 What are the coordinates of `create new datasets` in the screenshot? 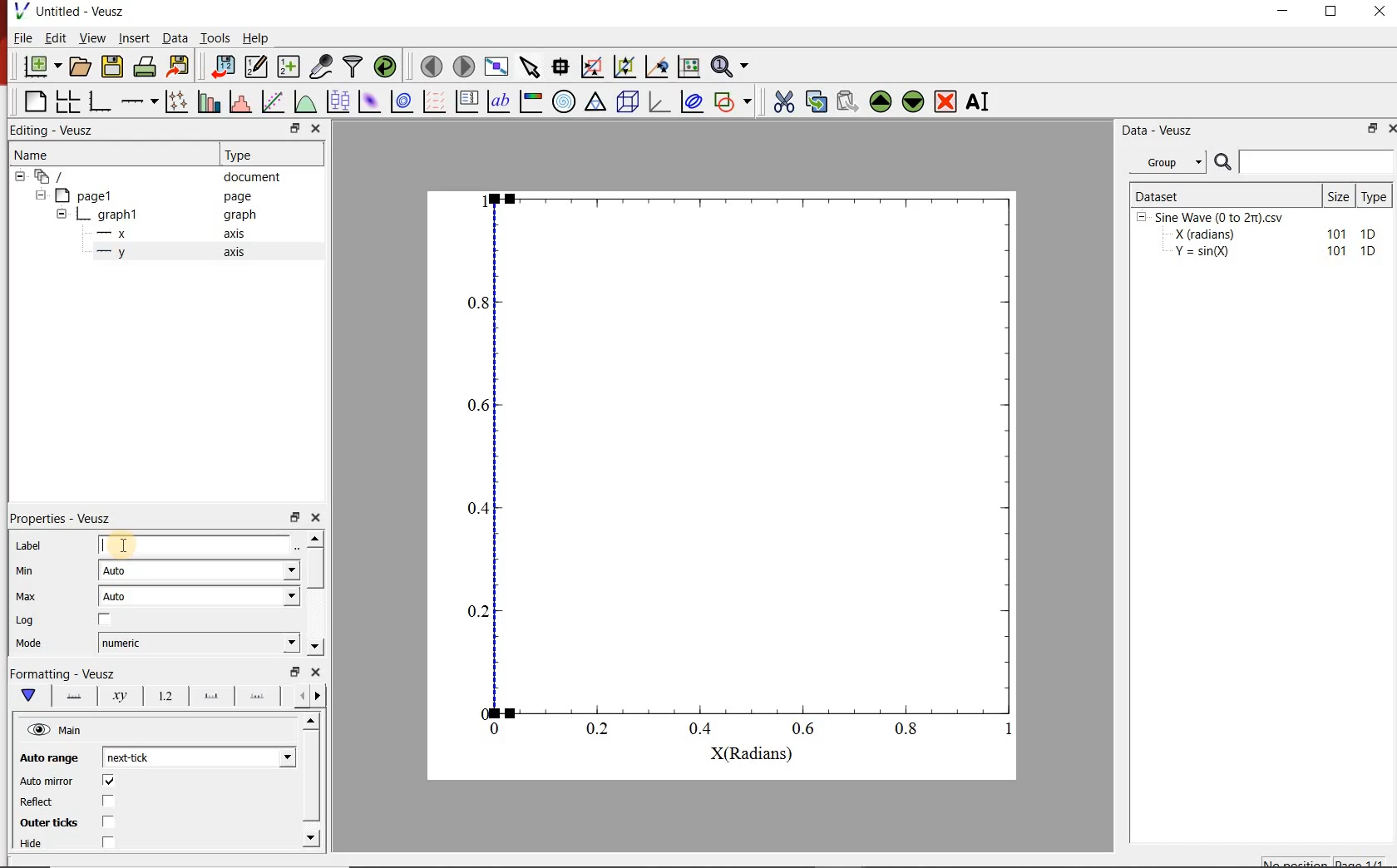 It's located at (289, 67).